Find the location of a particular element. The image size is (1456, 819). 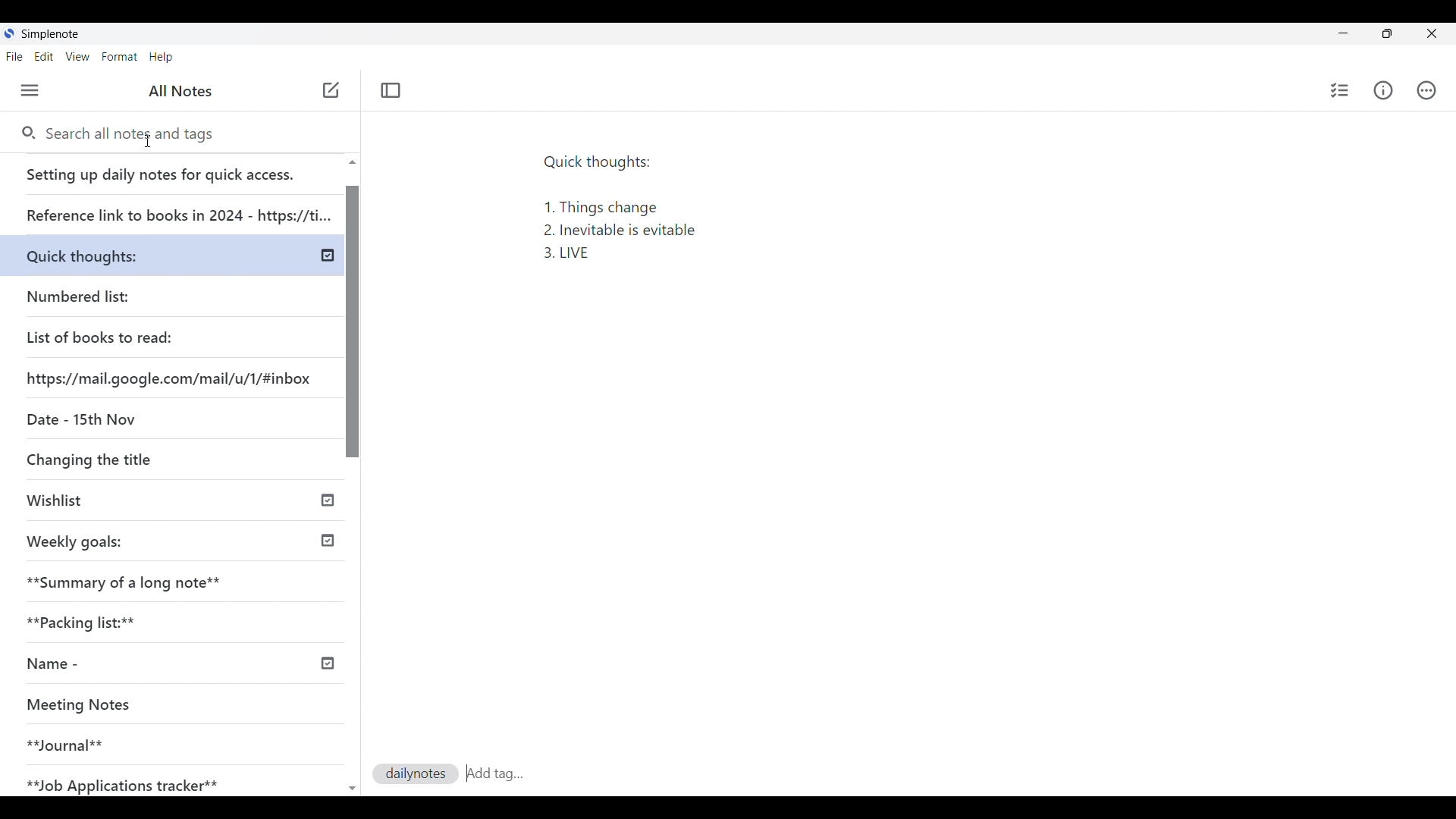

Actions is located at coordinates (1425, 89).